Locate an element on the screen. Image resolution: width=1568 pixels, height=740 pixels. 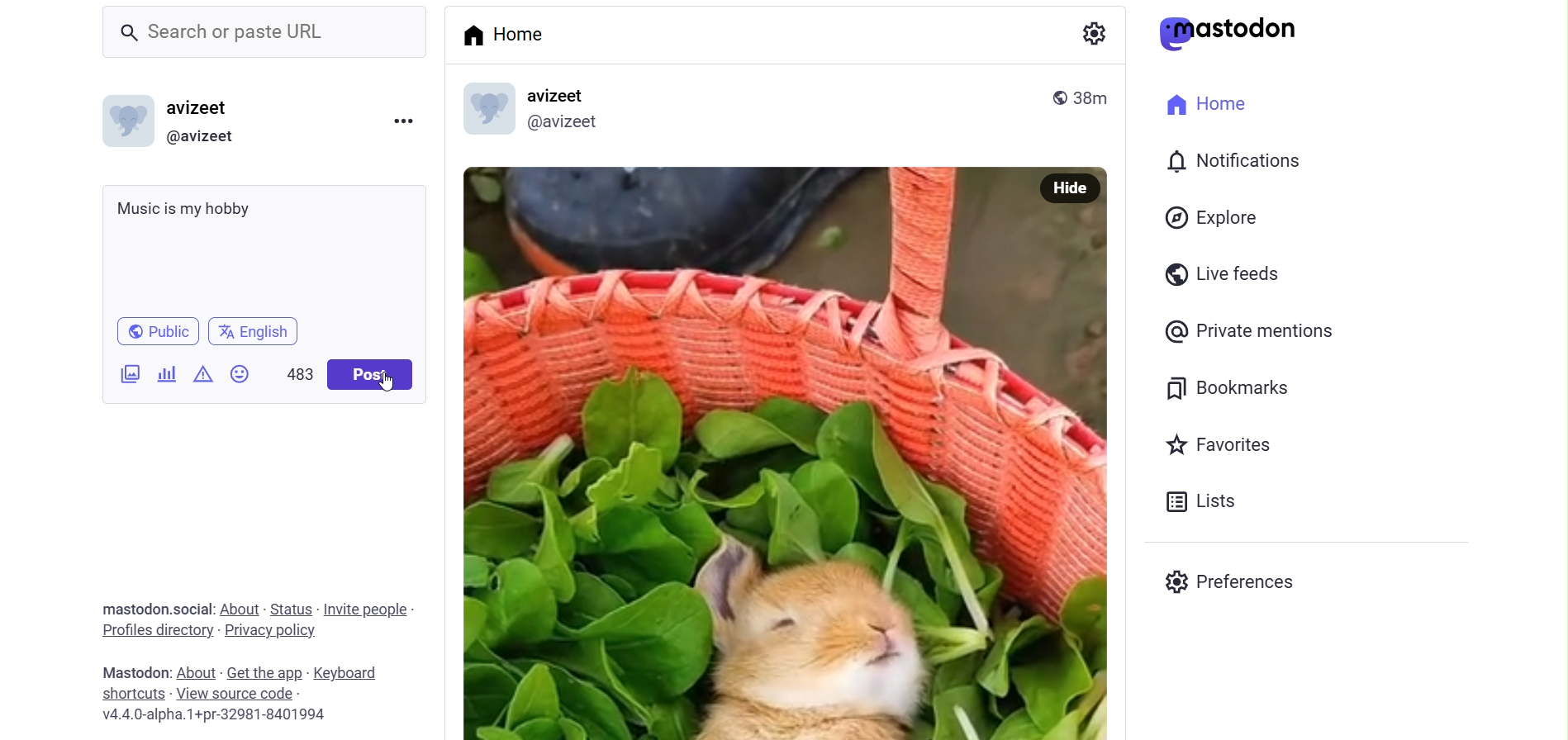
avizeet is located at coordinates (573, 93).